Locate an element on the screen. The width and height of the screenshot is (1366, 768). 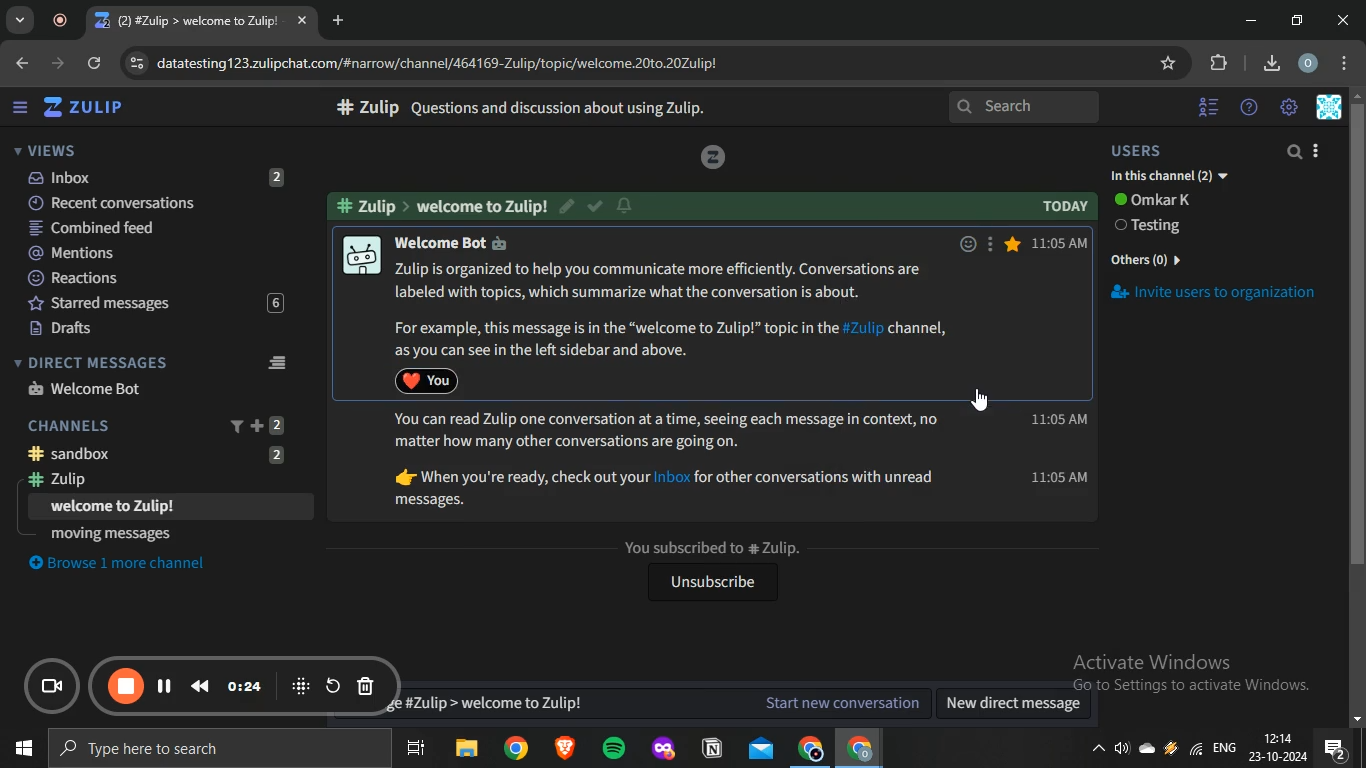
zulip is located at coordinates (88, 108).